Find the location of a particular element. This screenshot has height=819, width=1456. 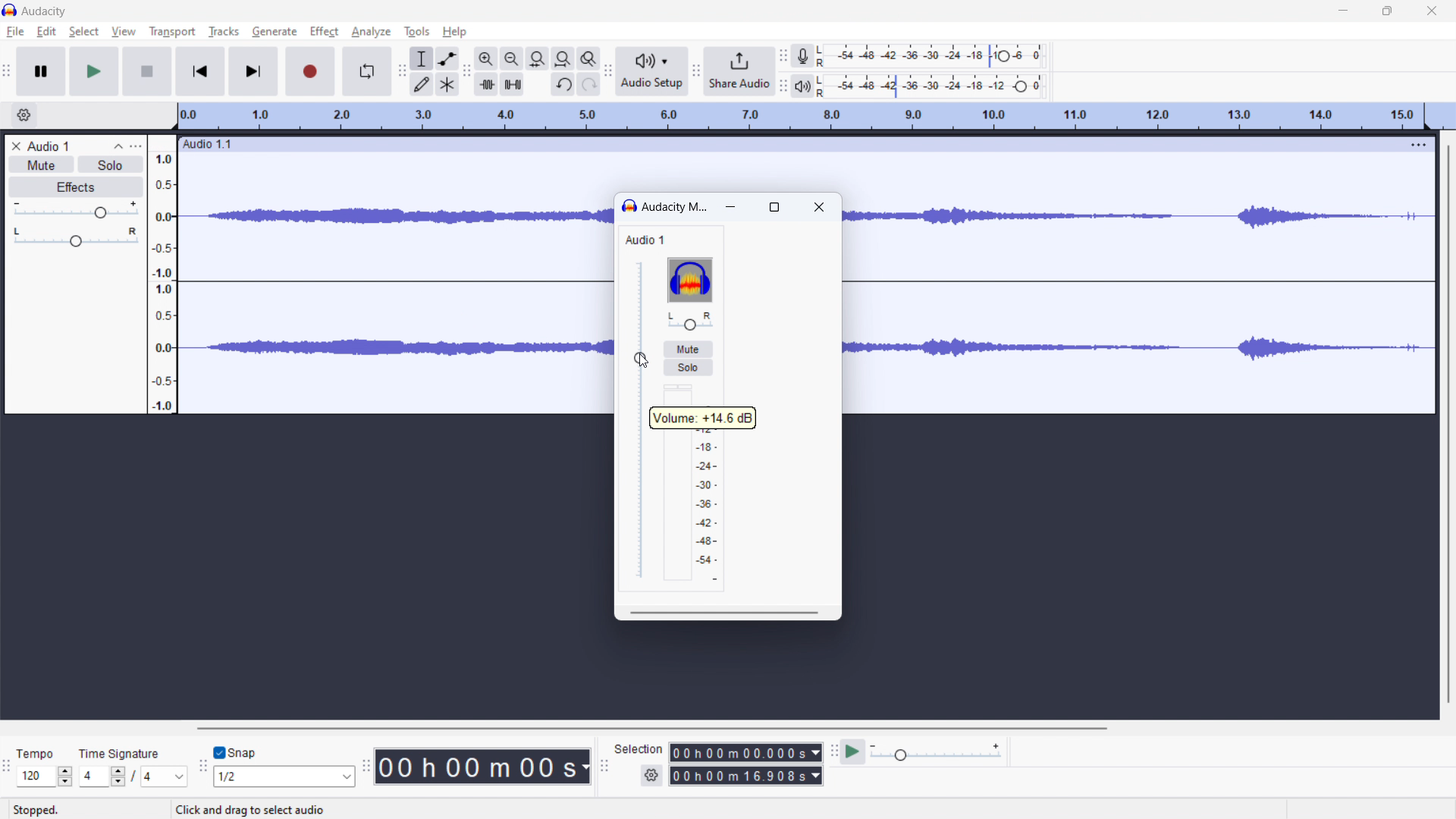

silence selection is located at coordinates (513, 83).